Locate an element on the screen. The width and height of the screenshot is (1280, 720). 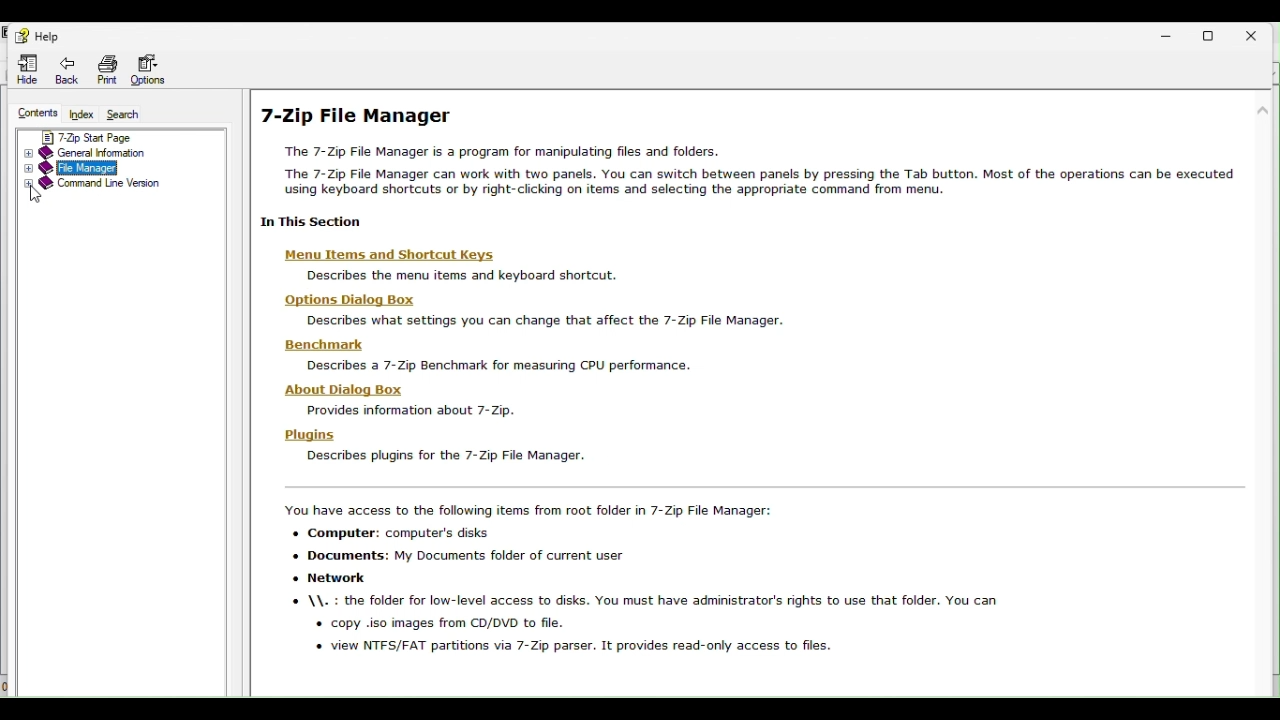
| Benchmark is located at coordinates (329, 346).